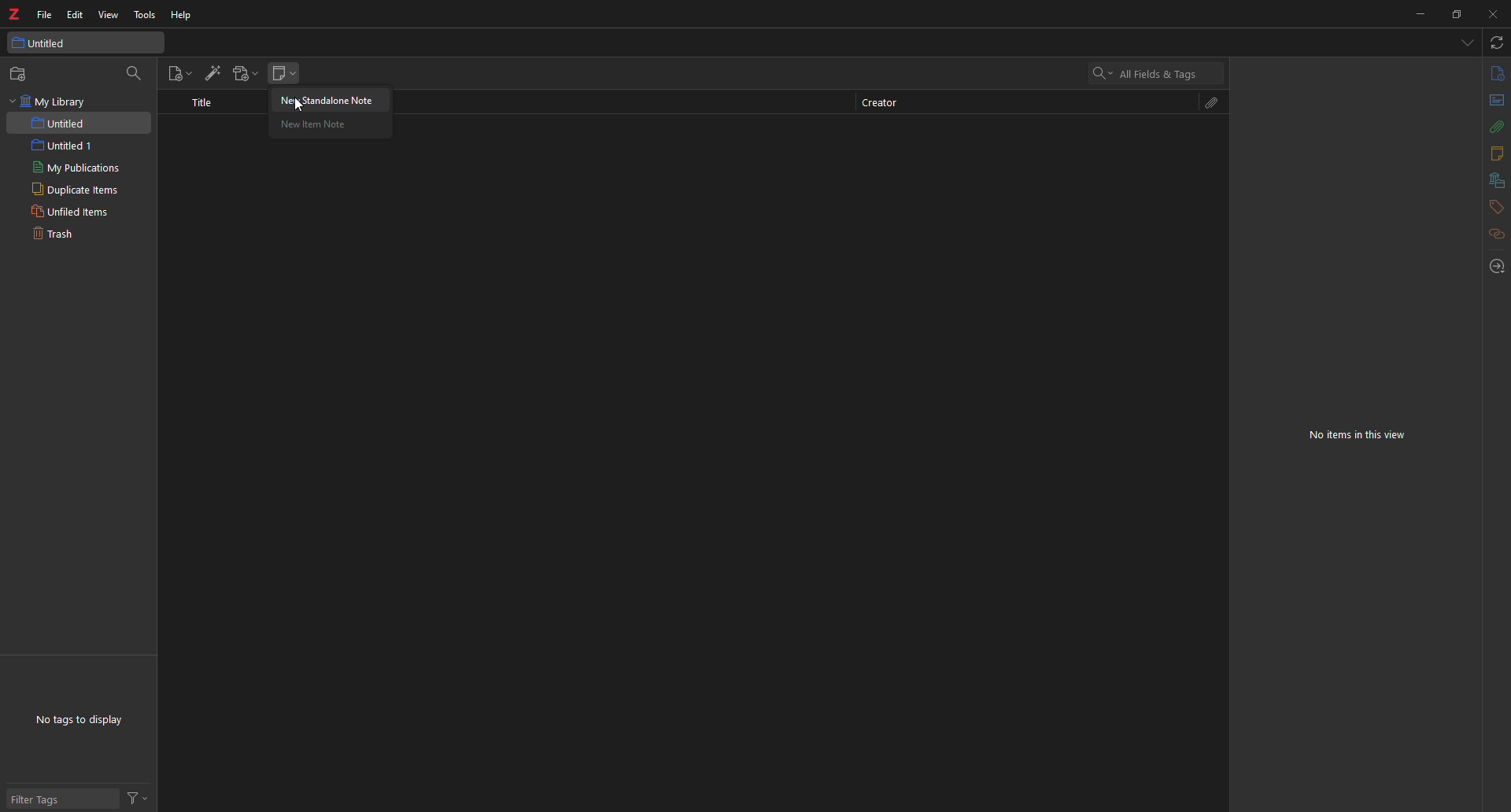 The width and height of the screenshot is (1511, 812). Describe the element at coordinates (1494, 152) in the screenshot. I see `notes` at that location.